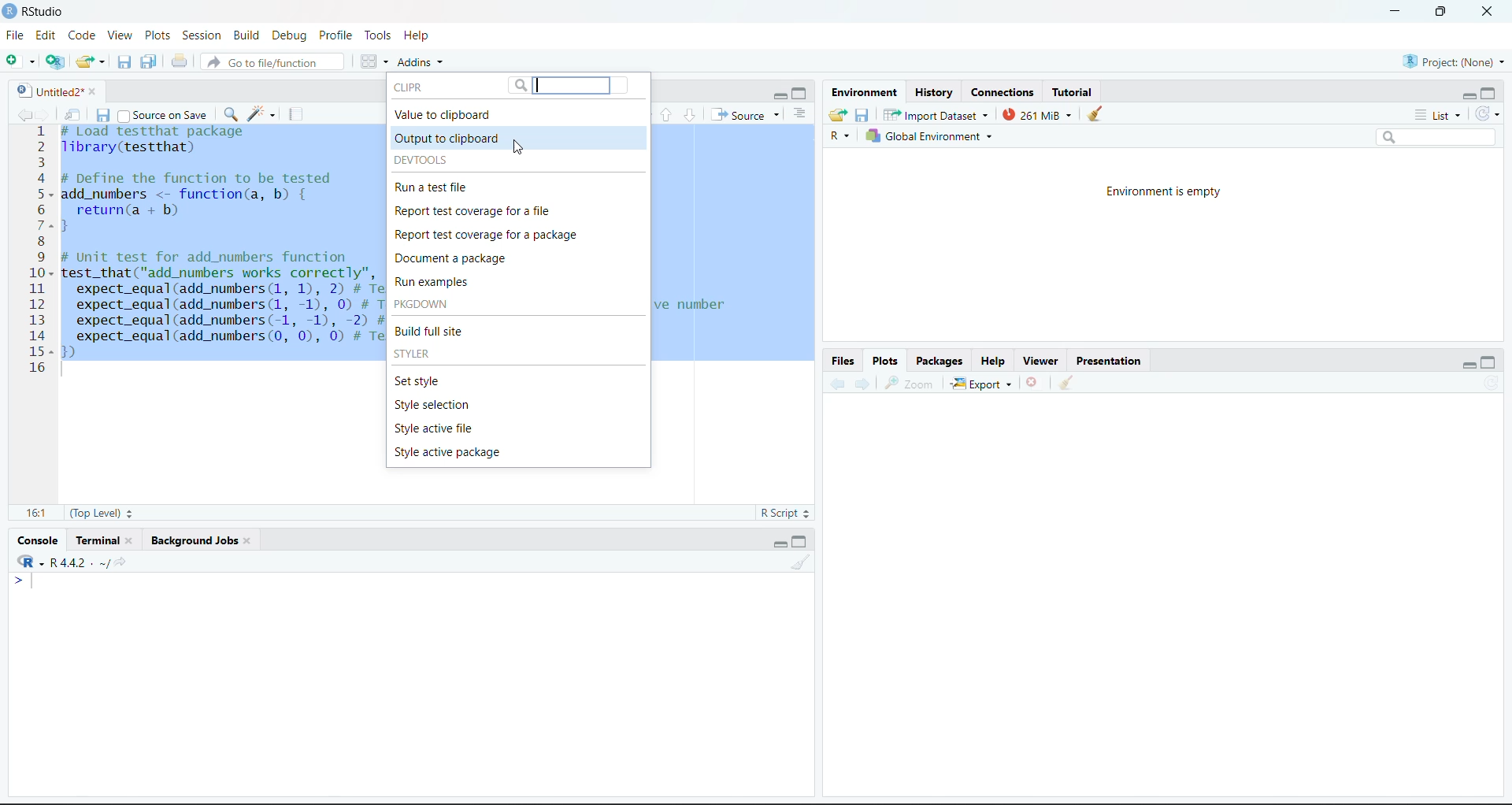 The height and width of the screenshot is (805, 1512). Describe the element at coordinates (221, 305) in the screenshot. I see `# Unit test for add_numbers functiontest_that("add_numbers works correctly", {expect_equal(add_numbers (1, 1), 2) # Test adding two positive numbersexpect_equal(add_numbers (1, -1), 0) # Test adding a positive and a negative numberexpect_equal(add_numbers(-1, -1), -2) # Test adding two negative numbersexpect_equal(add_numbers (0, 0), 0) # Test adding zeros)` at that location.